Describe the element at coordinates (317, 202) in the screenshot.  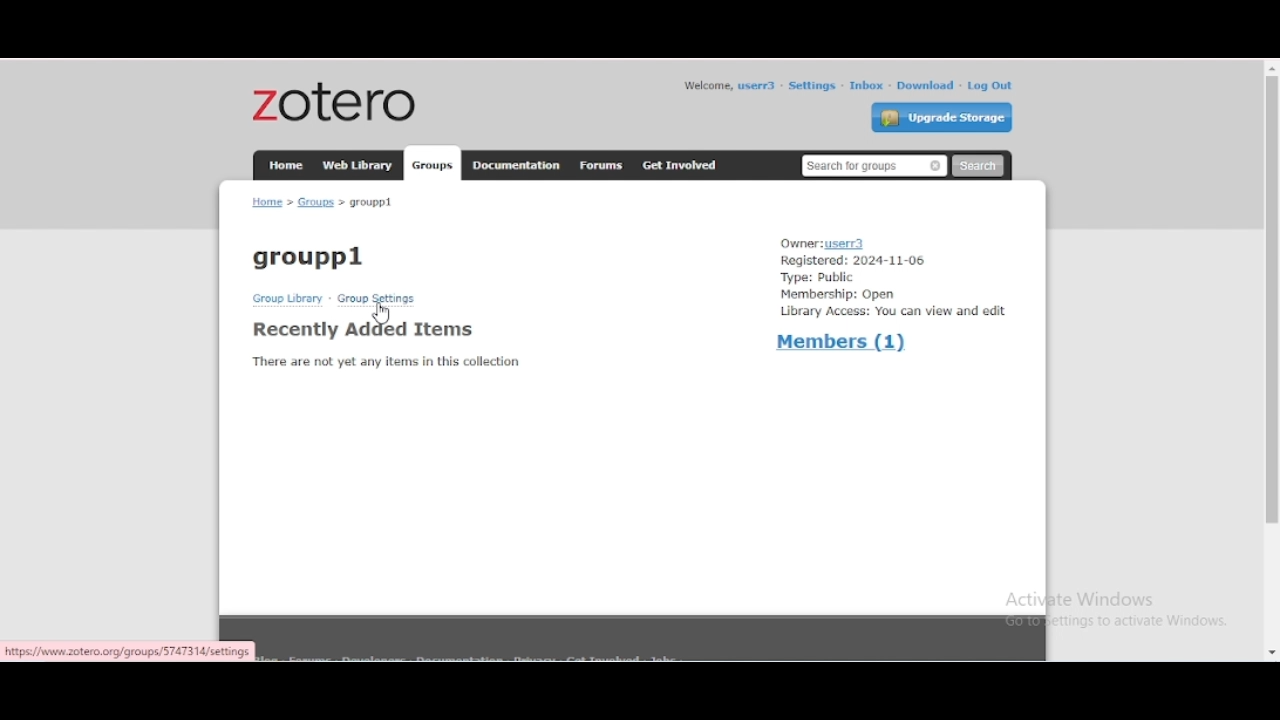
I see `groups` at that location.